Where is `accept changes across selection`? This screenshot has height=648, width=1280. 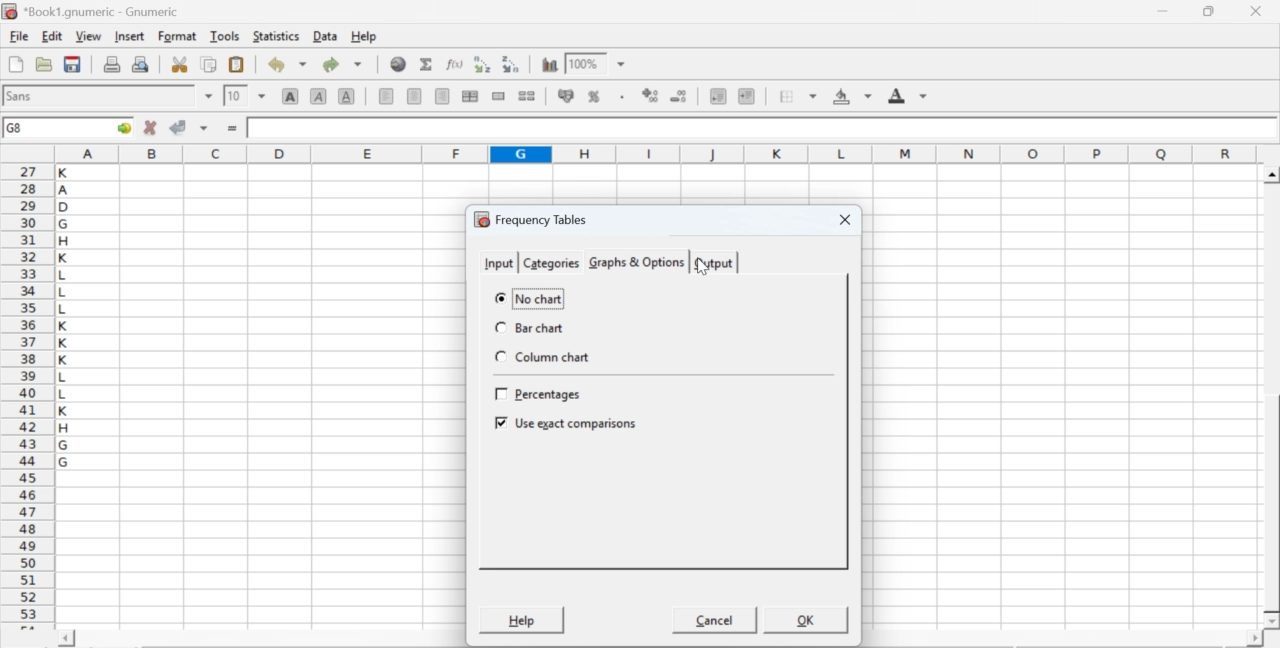
accept changes across selection is located at coordinates (203, 127).